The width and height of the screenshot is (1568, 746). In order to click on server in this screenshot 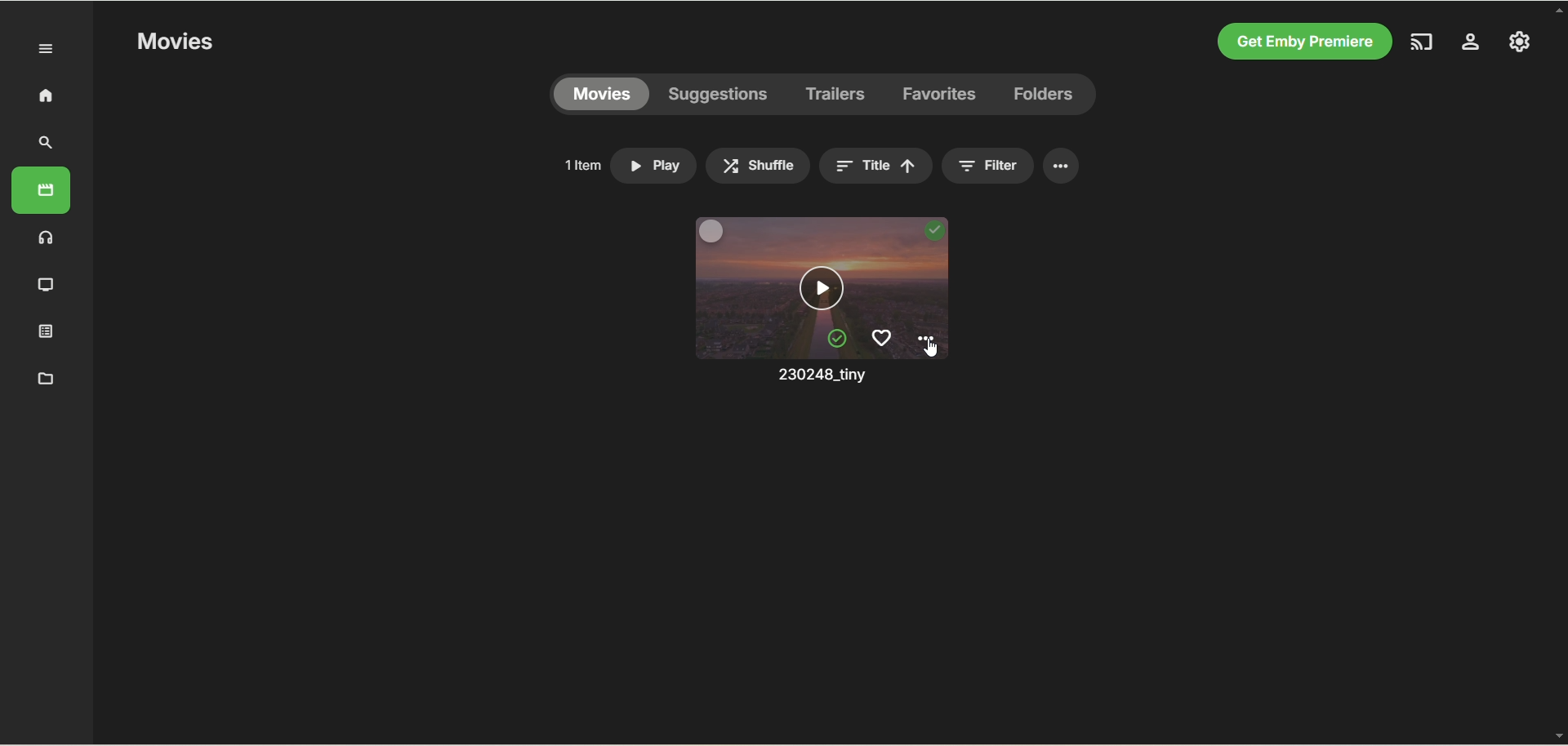, I will do `click(1471, 44)`.